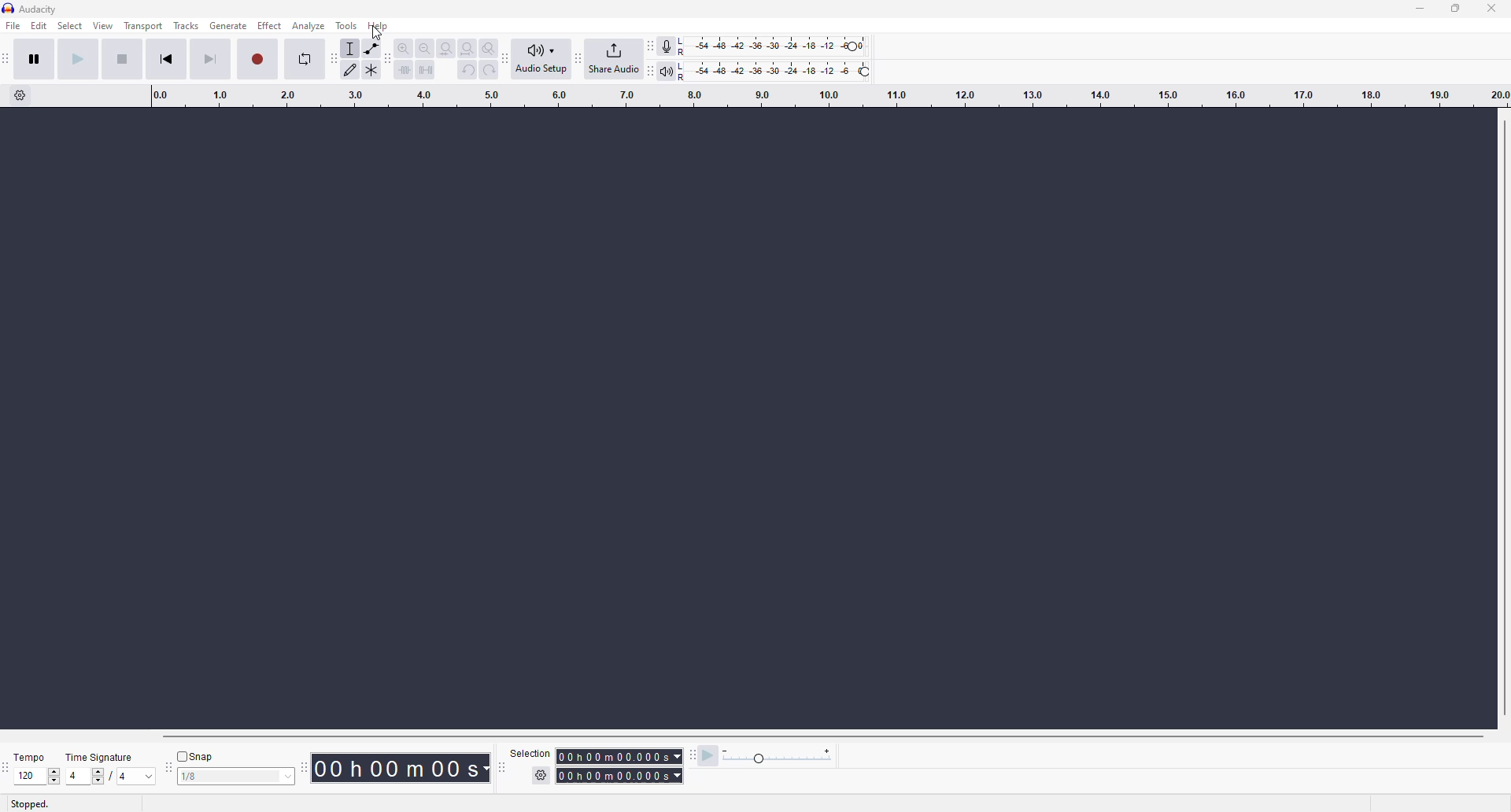  I want to click on tracks, so click(187, 28).